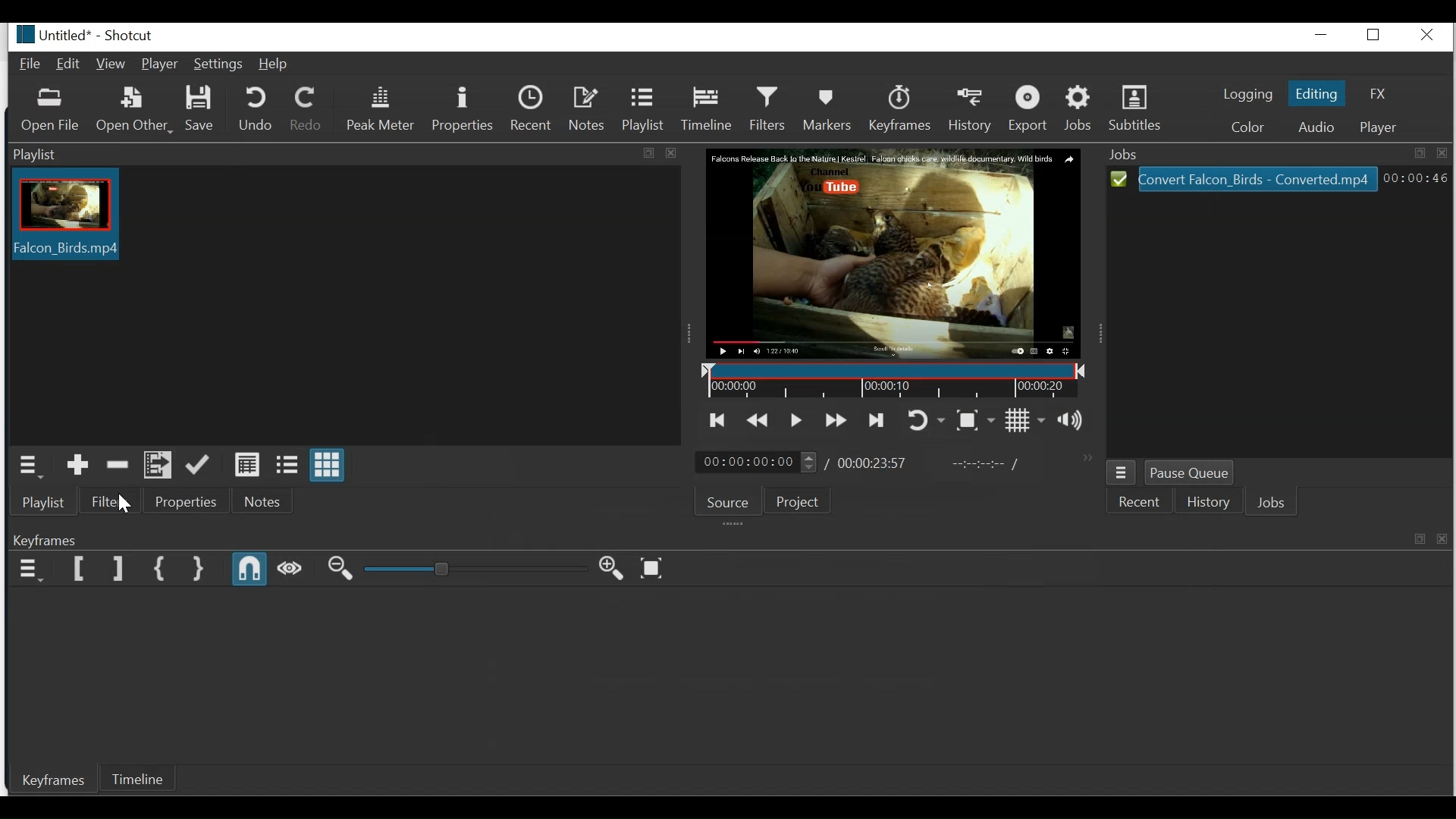  Describe the element at coordinates (708, 106) in the screenshot. I see `Timeline` at that location.